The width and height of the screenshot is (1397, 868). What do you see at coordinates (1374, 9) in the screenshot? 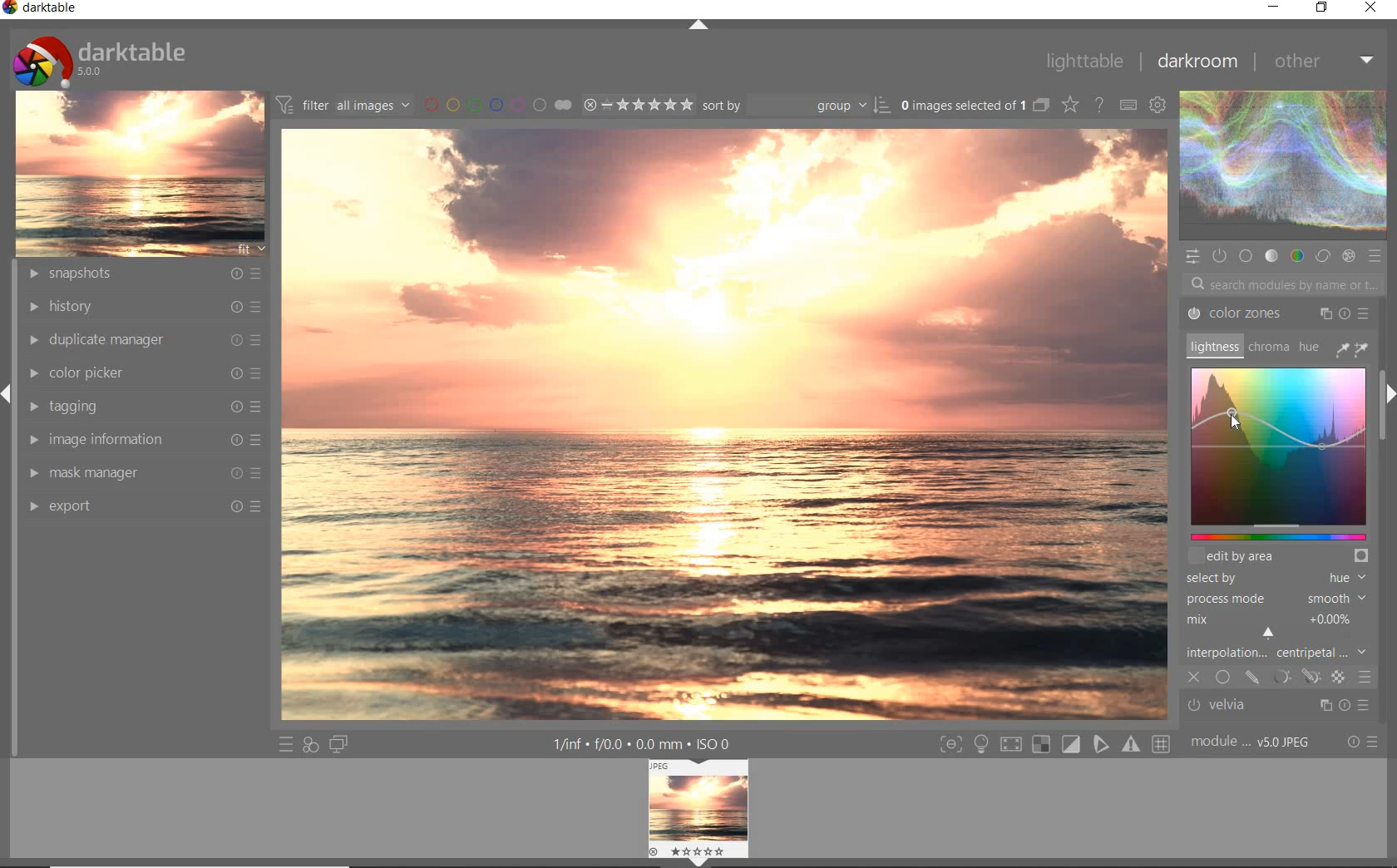
I see `close` at bounding box center [1374, 9].